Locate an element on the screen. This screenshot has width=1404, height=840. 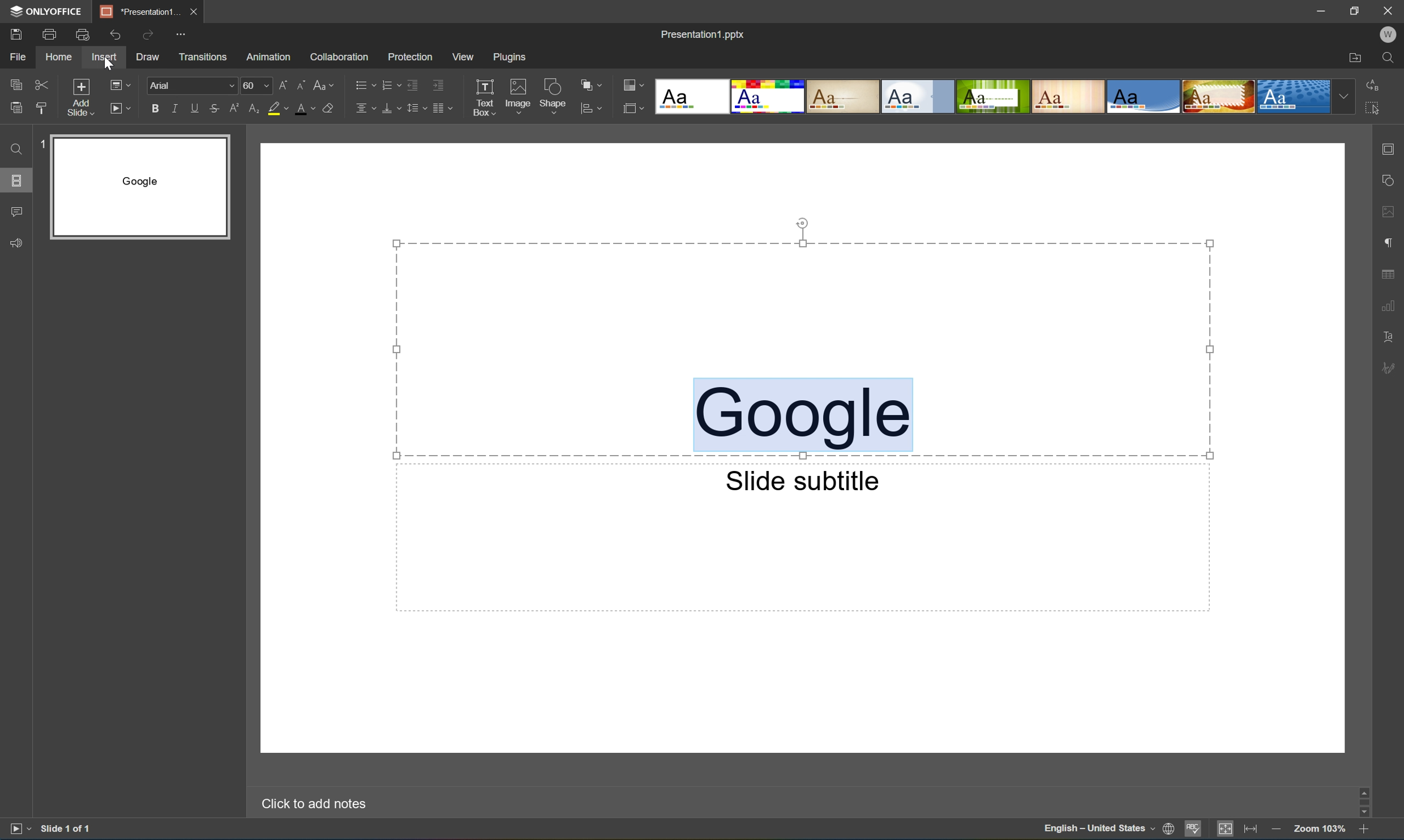
Decrement font size is located at coordinates (304, 85).